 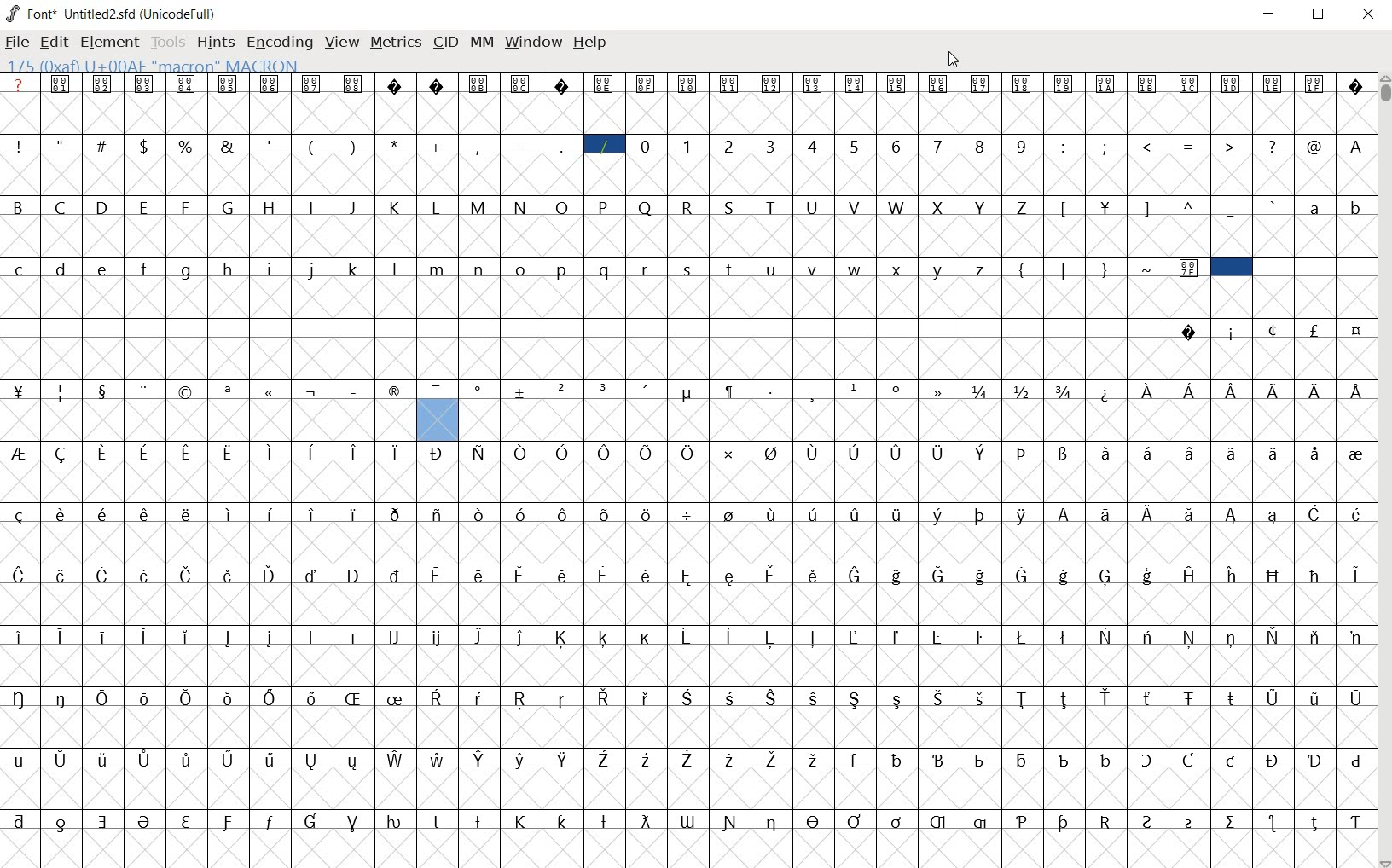 I want to click on Symbol, so click(x=689, y=574).